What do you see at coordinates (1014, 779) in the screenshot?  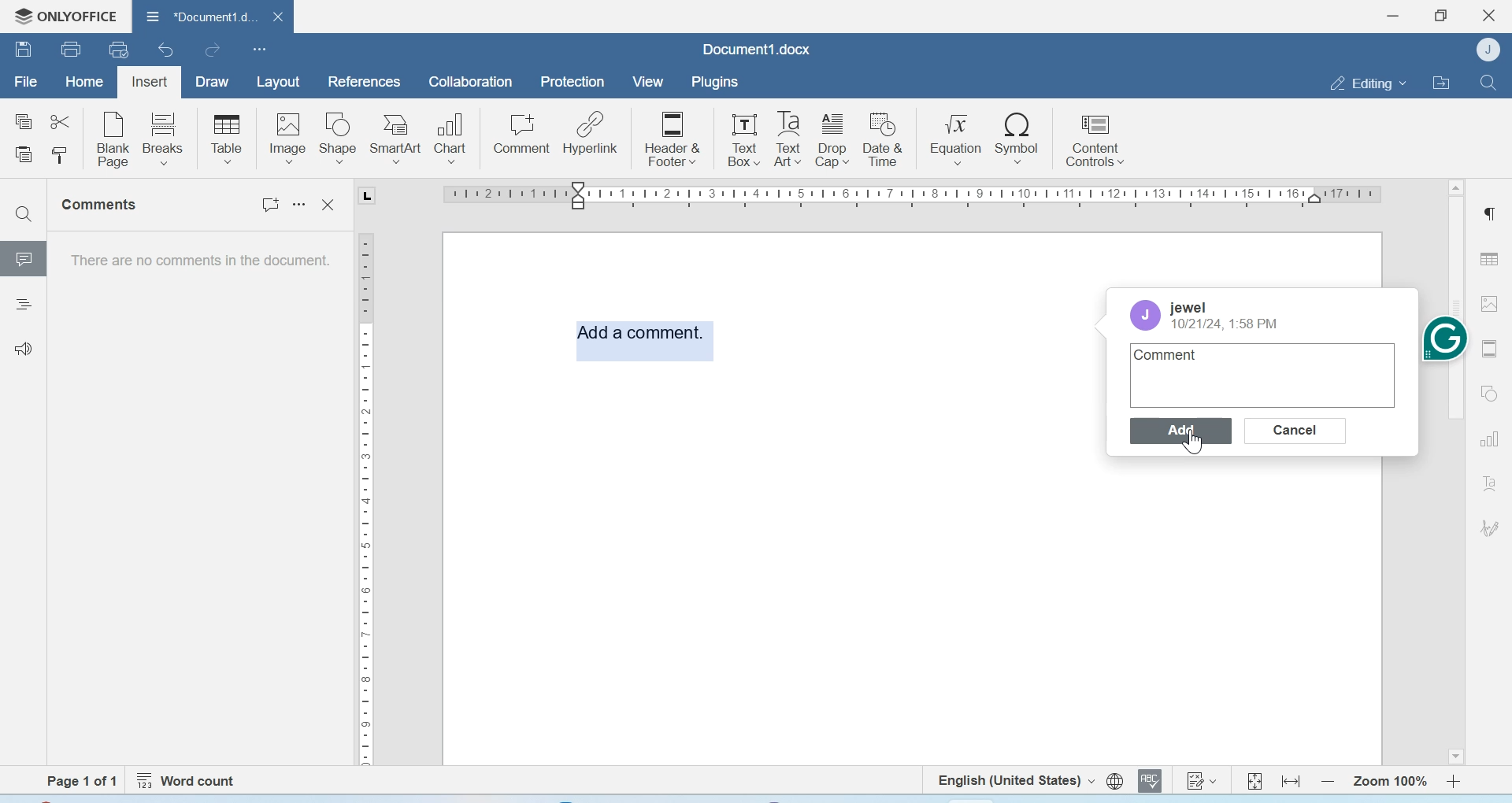 I see `Set text language` at bounding box center [1014, 779].